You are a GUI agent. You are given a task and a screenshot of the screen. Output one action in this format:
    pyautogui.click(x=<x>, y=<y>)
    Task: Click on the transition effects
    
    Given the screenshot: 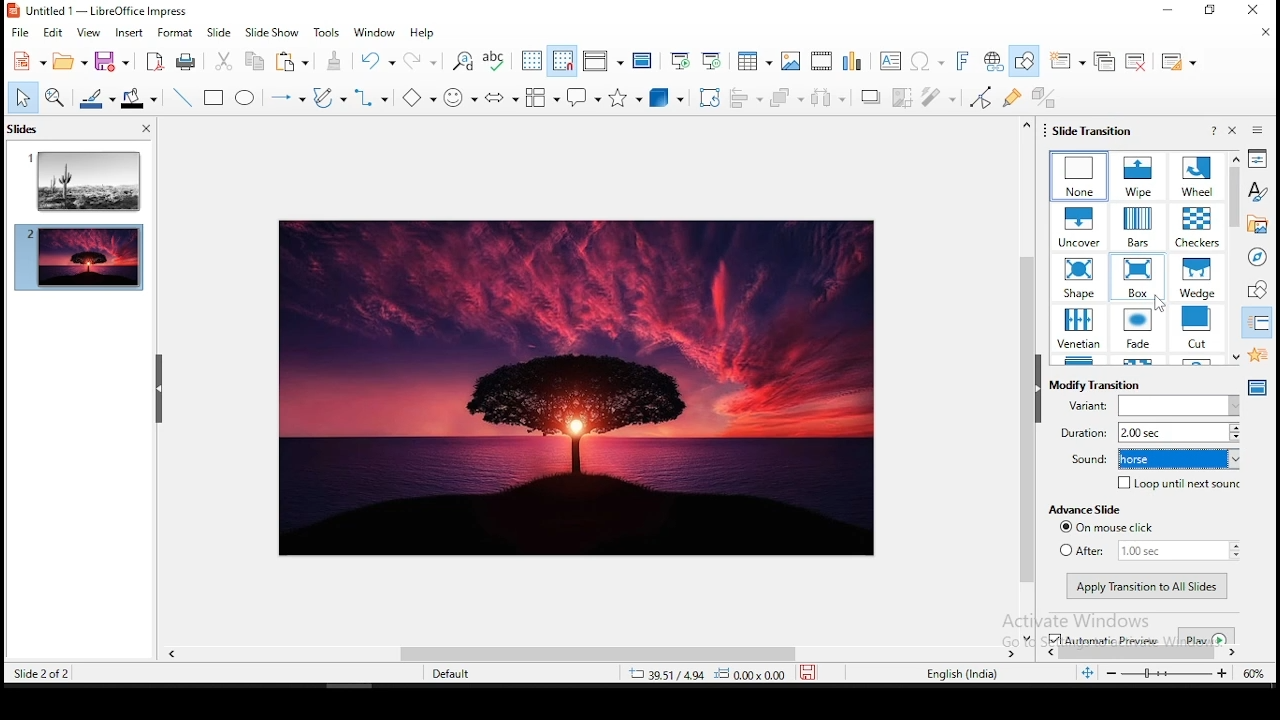 What is the action you would take?
    pyautogui.click(x=1198, y=278)
    